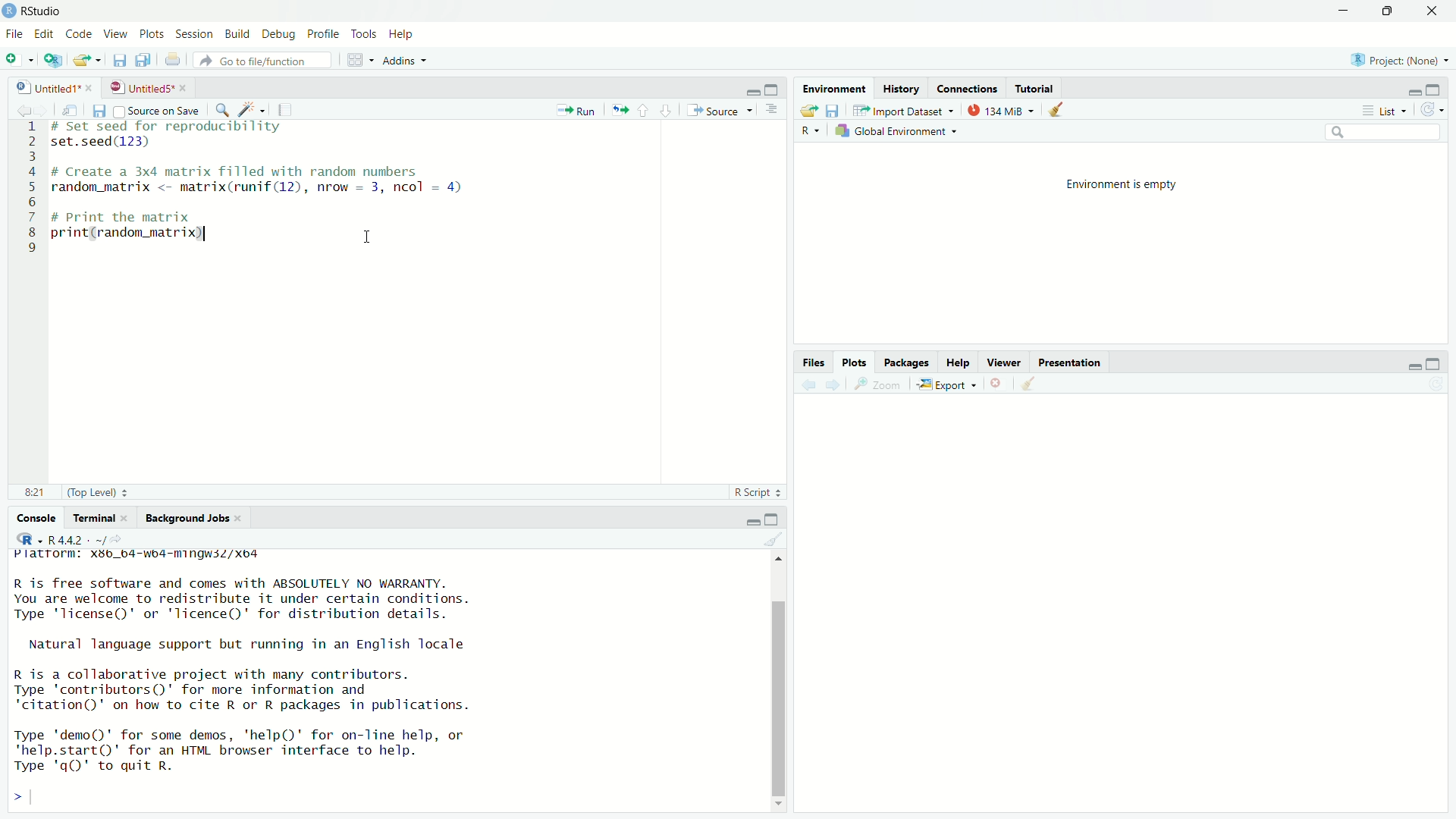 This screenshot has height=819, width=1456. I want to click on rPlatrorm. Xx3b_b4-wo4-mingwsZ/xo4

R is free software and comes with ABSOLUTELY NO WARRANTY.

You are welcome to redistribute it under certain conditions.

Type 'license()' or 'licence()' for distribution details.
Natural language support but running in an English locale

R is a collaborative project with many contributors.

Type 'contributors()' for more information and

‘citation()' on how to cite R or R packages in publications.

Type 'demo()' for some demos, 'help()' for on-line help, or

'help.start()' for an HTML browser interface to help.

Type 'qQ)' to quit R.

>, so click(270, 678).